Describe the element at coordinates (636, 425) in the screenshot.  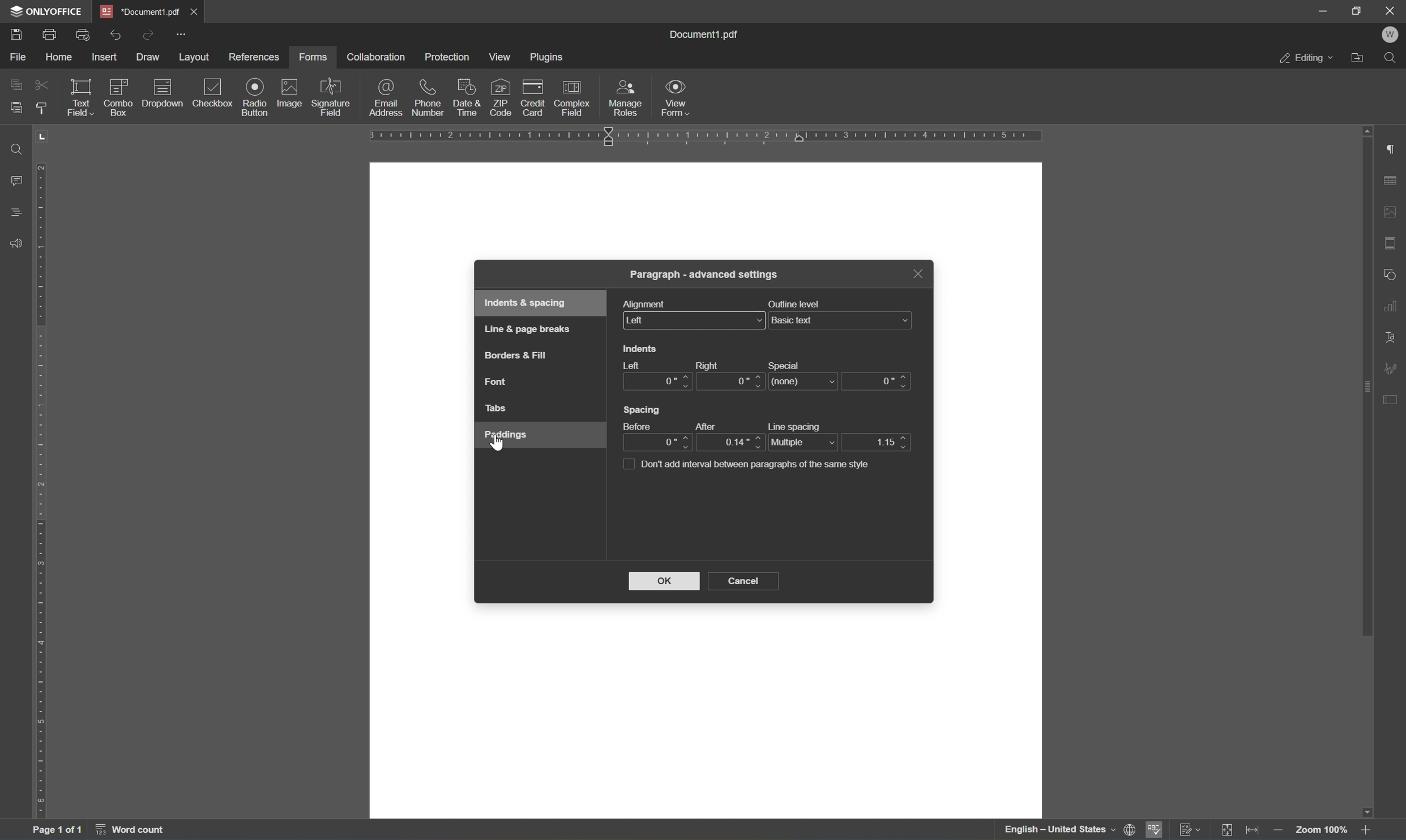
I see `before` at that location.